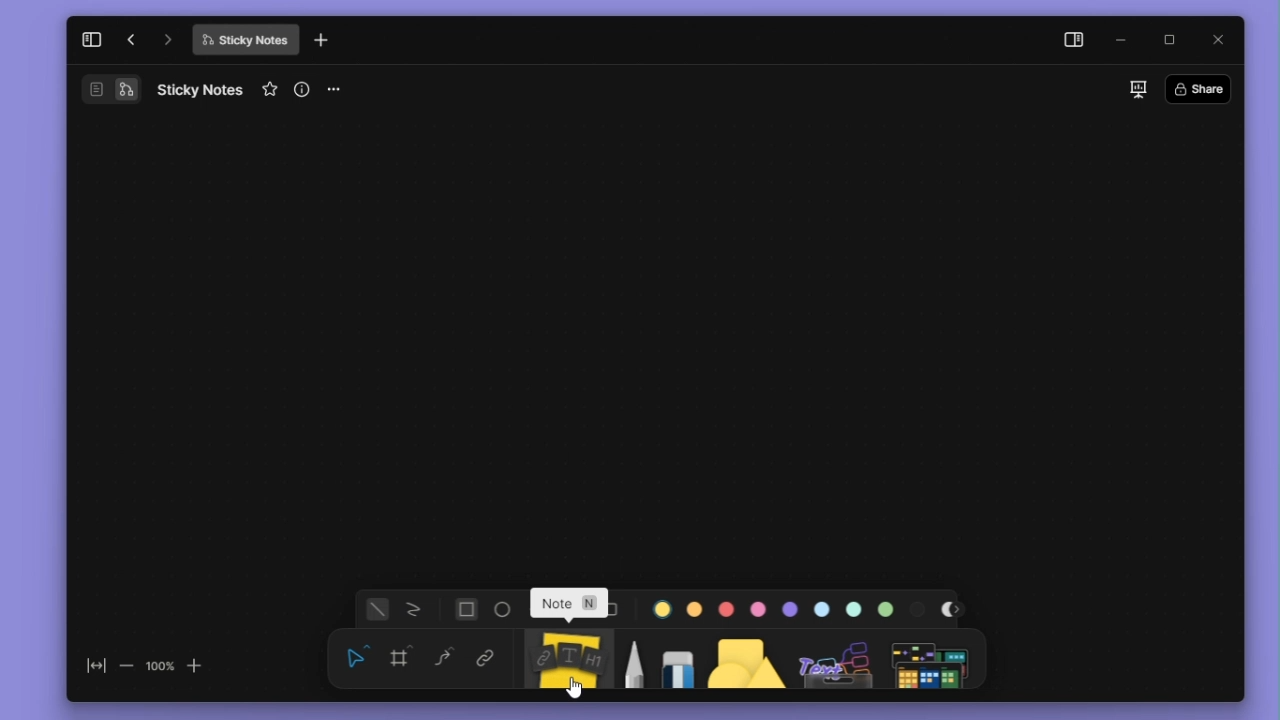 The width and height of the screenshot is (1280, 720). What do you see at coordinates (91, 47) in the screenshot?
I see `collapse sidebar` at bounding box center [91, 47].